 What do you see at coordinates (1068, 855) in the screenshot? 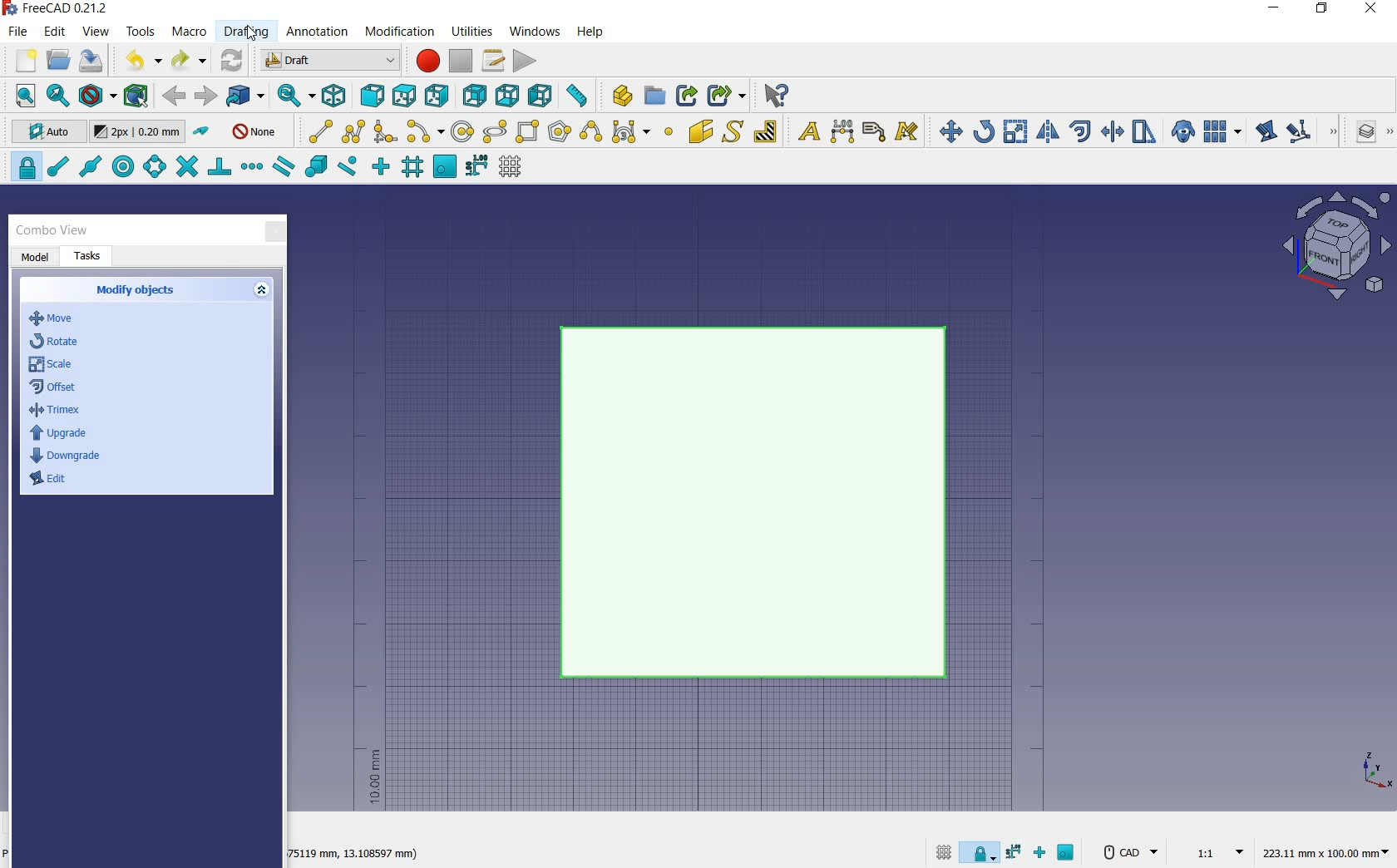
I see `snap working plane` at bounding box center [1068, 855].